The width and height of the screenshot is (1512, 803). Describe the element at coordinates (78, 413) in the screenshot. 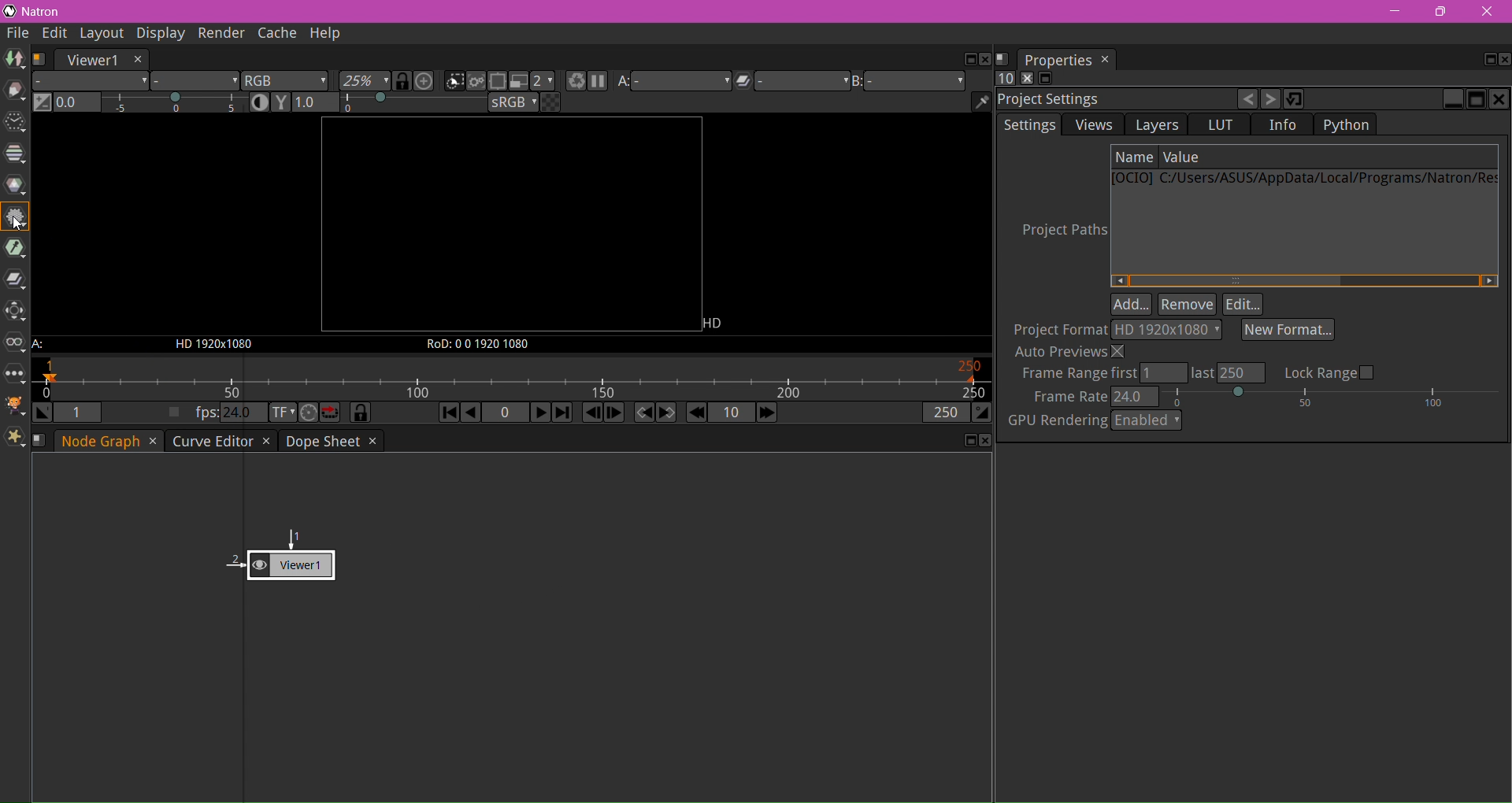

I see `The playback in point` at that location.